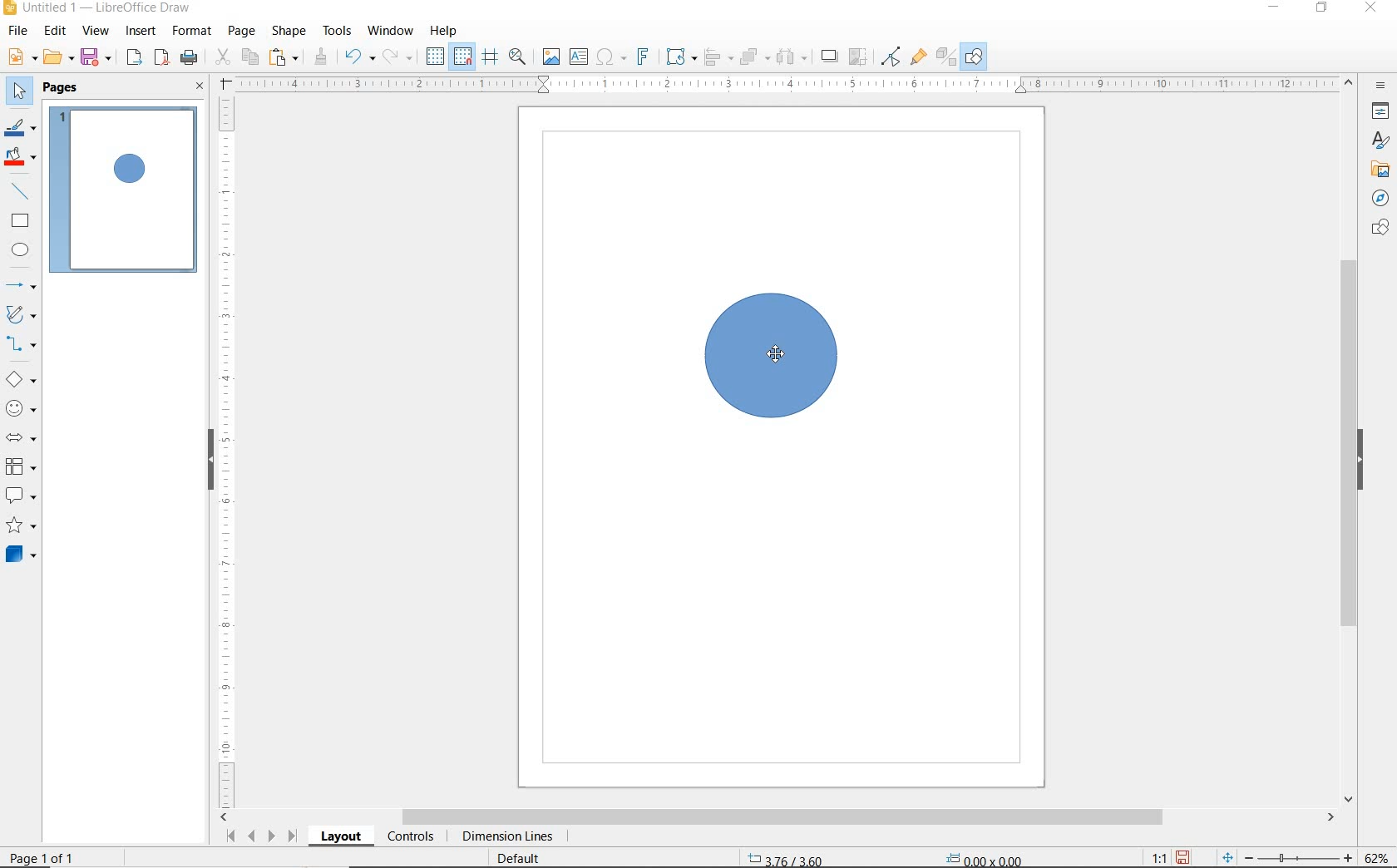 This screenshot has width=1397, height=868. What do you see at coordinates (1159, 857) in the screenshot?
I see `SCALING FACTOR` at bounding box center [1159, 857].